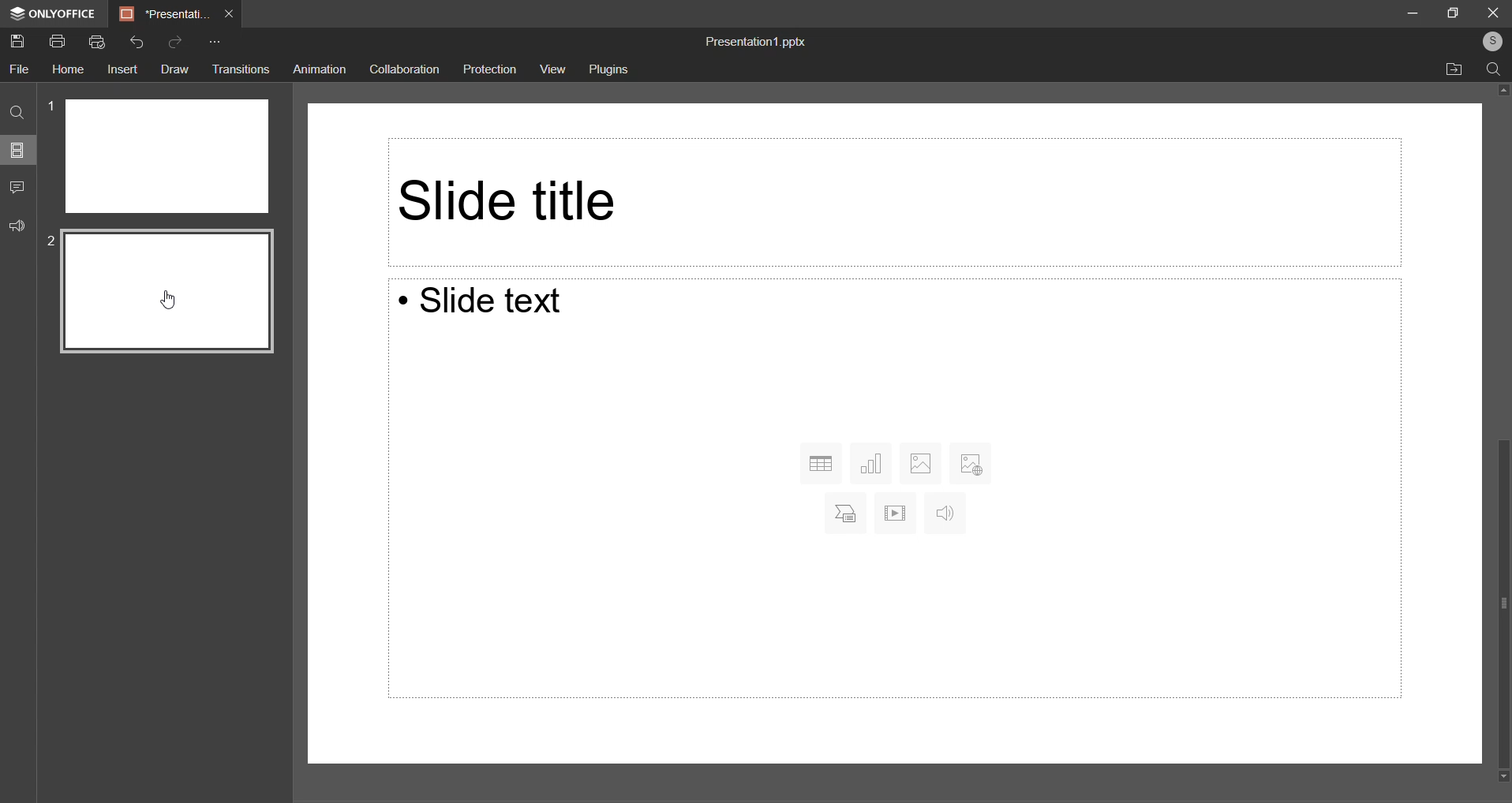 This screenshot has height=803, width=1512. What do you see at coordinates (167, 156) in the screenshot?
I see `Slide 1` at bounding box center [167, 156].